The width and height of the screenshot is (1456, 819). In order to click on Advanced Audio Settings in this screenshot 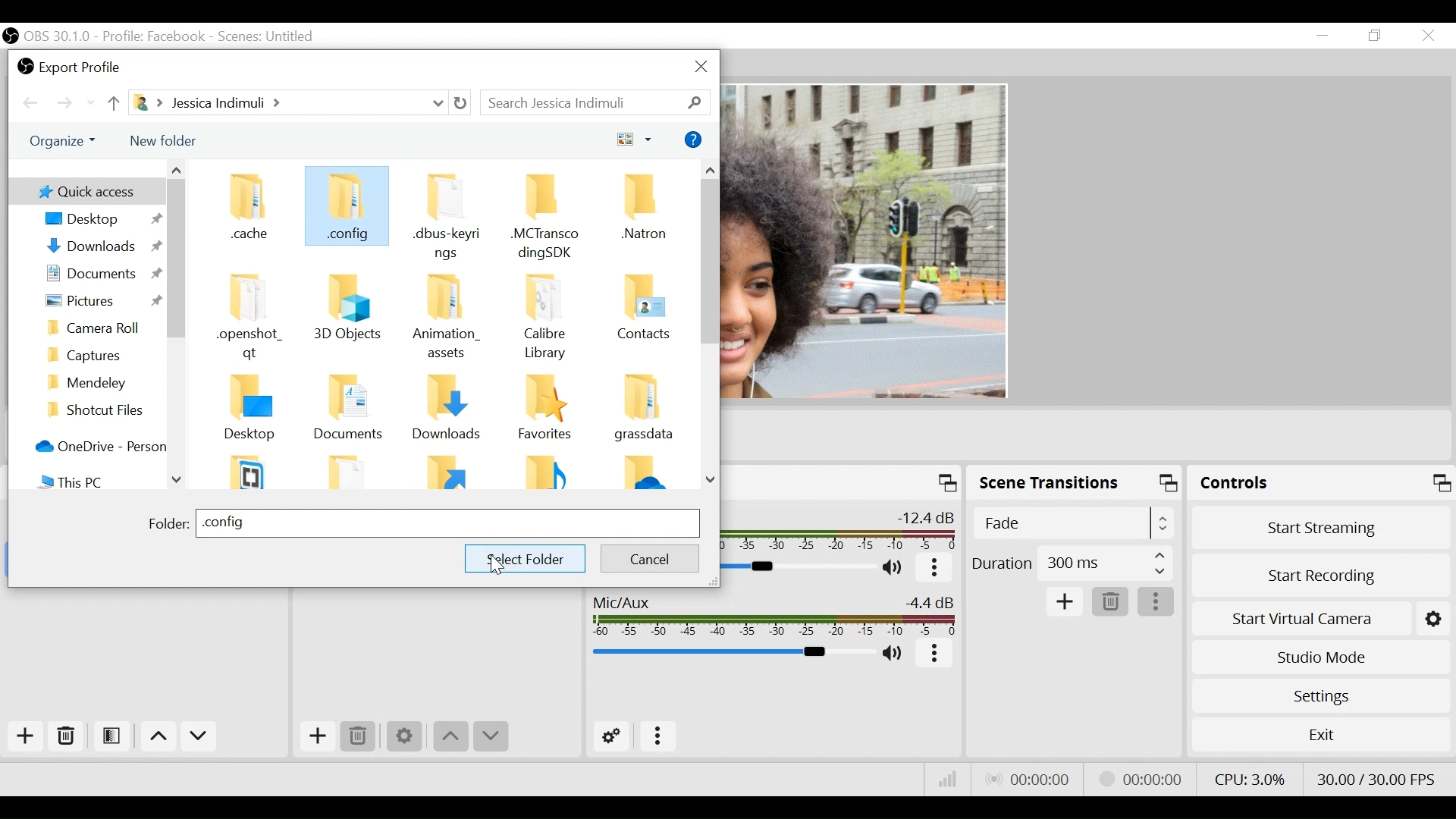, I will do `click(611, 736)`.